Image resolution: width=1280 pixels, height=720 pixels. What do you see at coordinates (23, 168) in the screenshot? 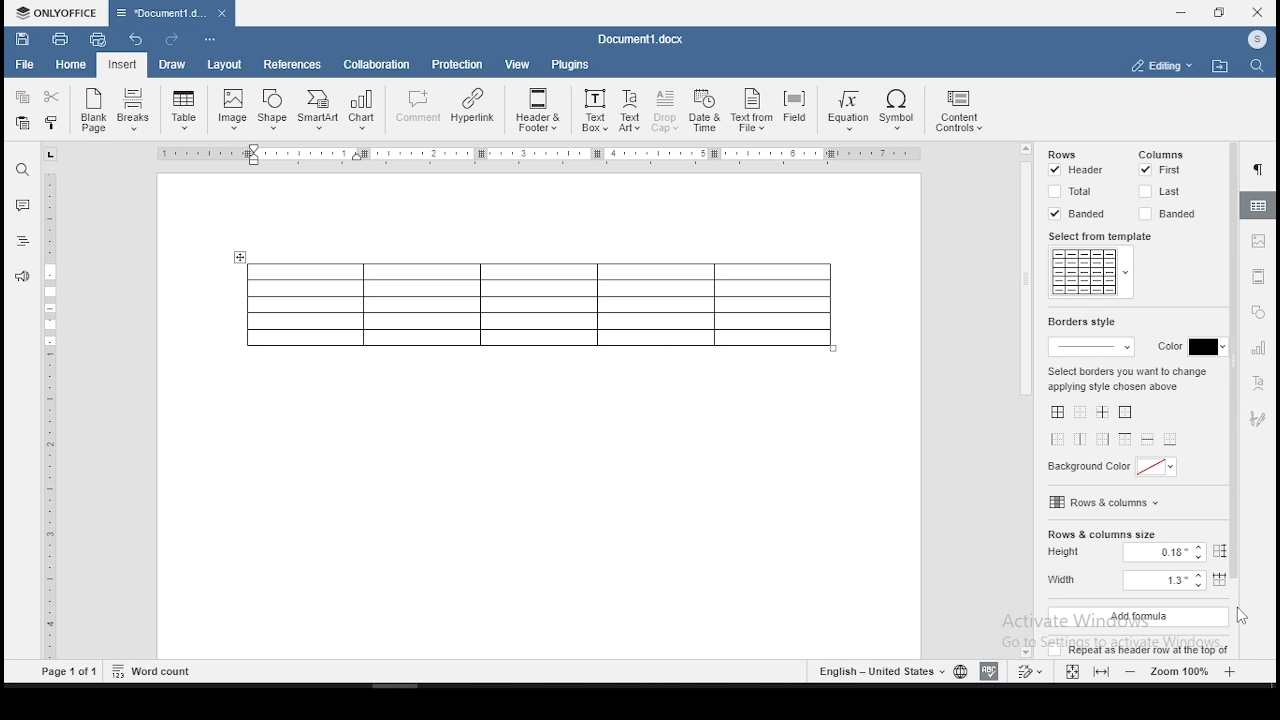
I see `find` at bounding box center [23, 168].